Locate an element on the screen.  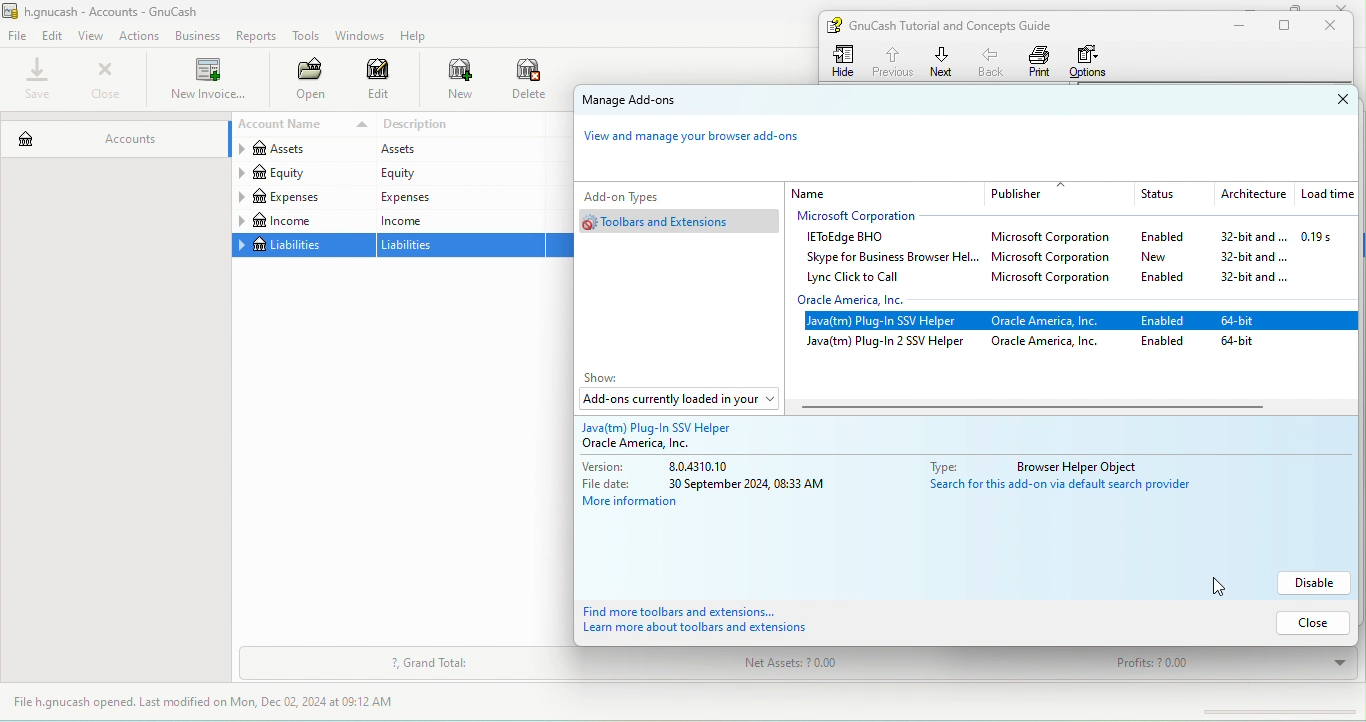
net assets ?0.00 is located at coordinates (853, 666).